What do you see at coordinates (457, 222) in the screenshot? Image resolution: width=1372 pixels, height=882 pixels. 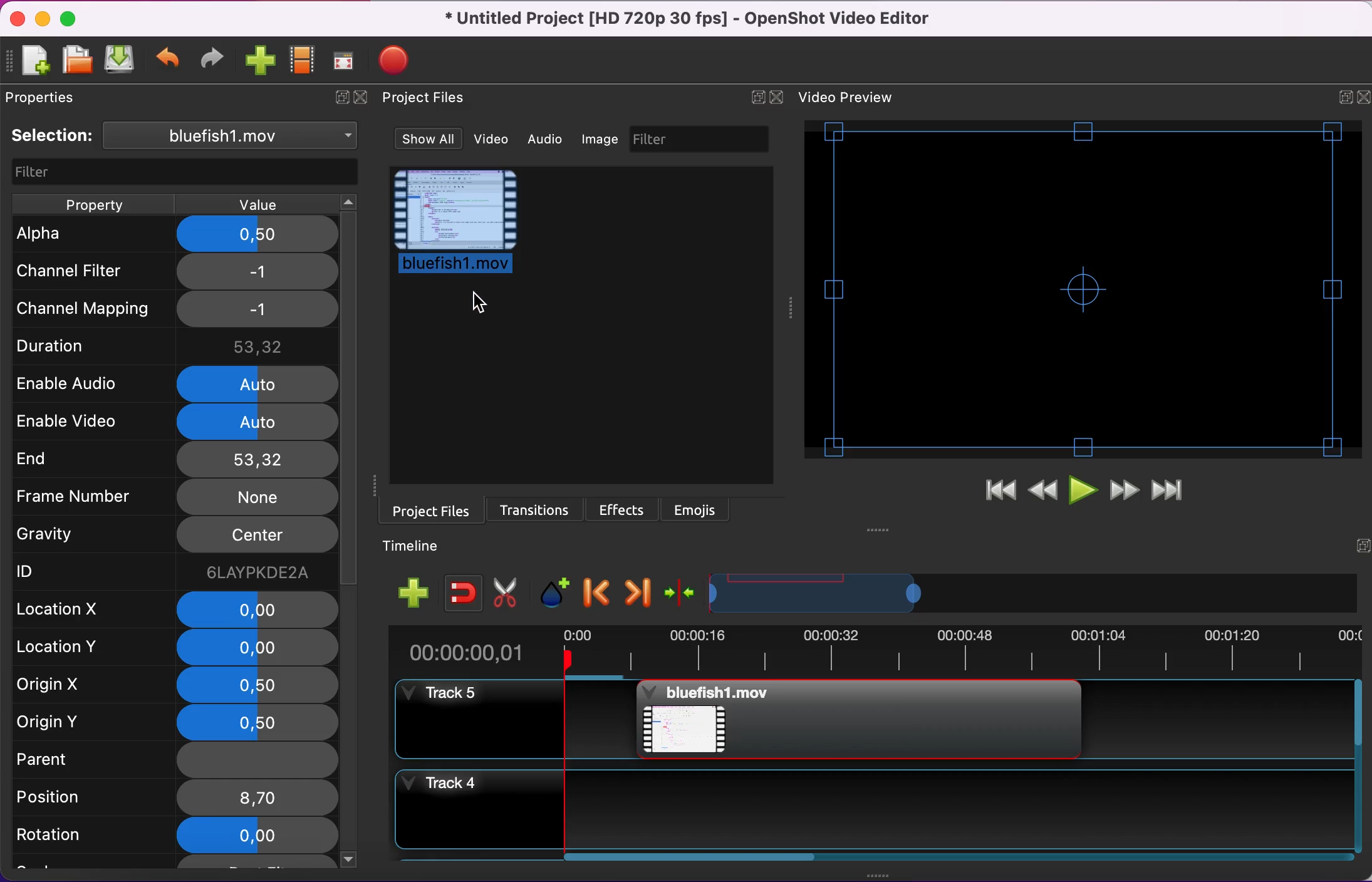 I see `project file` at bounding box center [457, 222].